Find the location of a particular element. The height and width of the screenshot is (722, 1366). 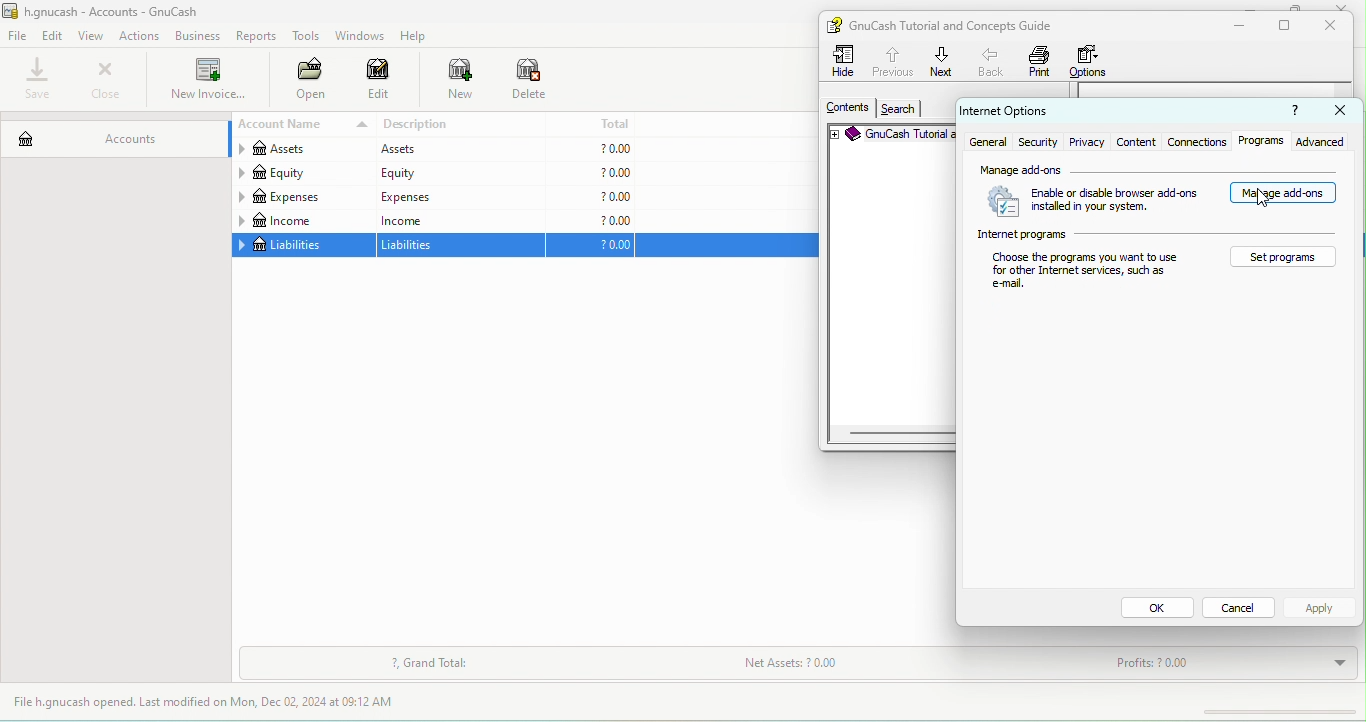

maximize is located at coordinates (1288, 26).